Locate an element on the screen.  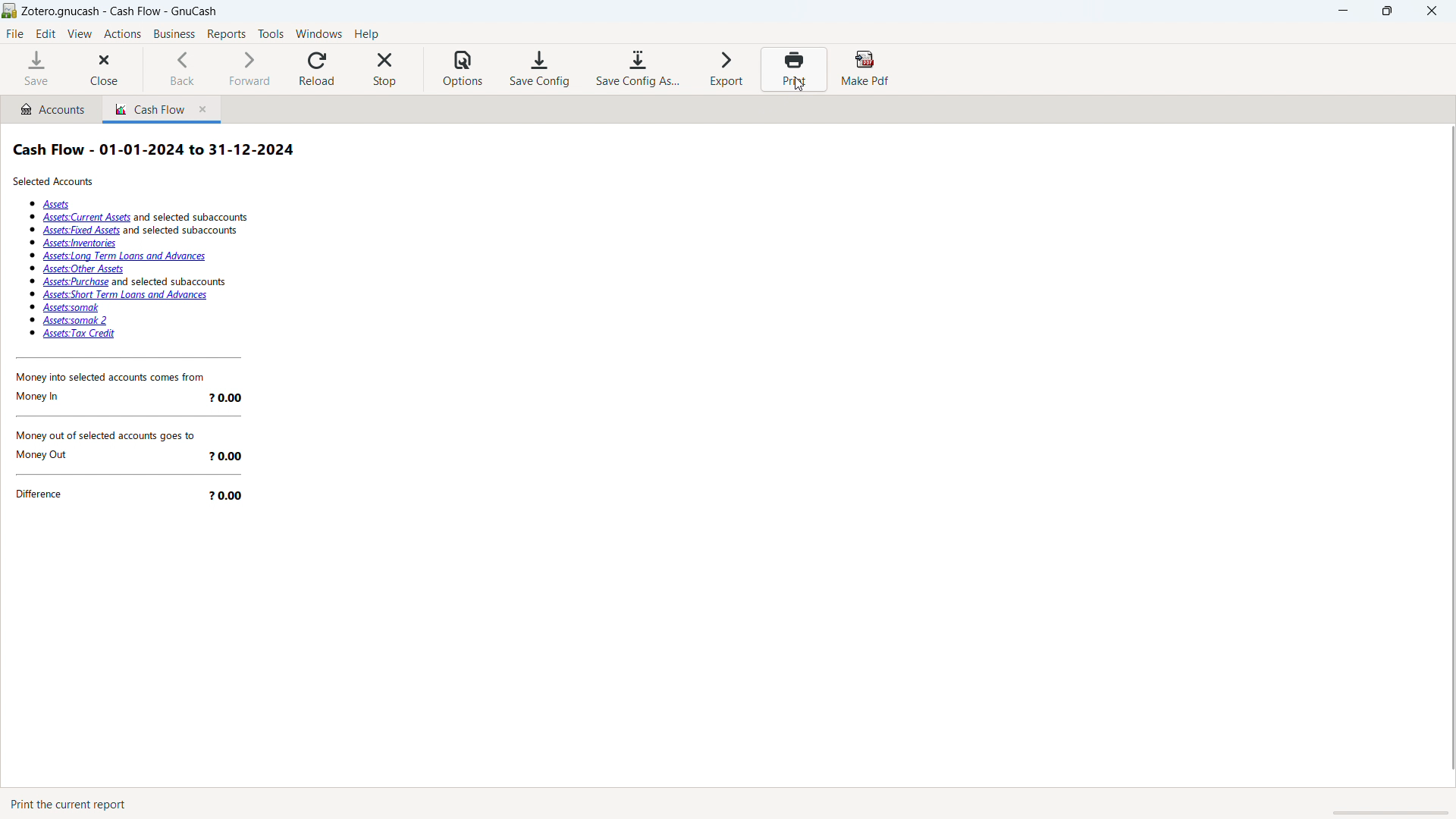
assets is located at coordinates (56, 205).